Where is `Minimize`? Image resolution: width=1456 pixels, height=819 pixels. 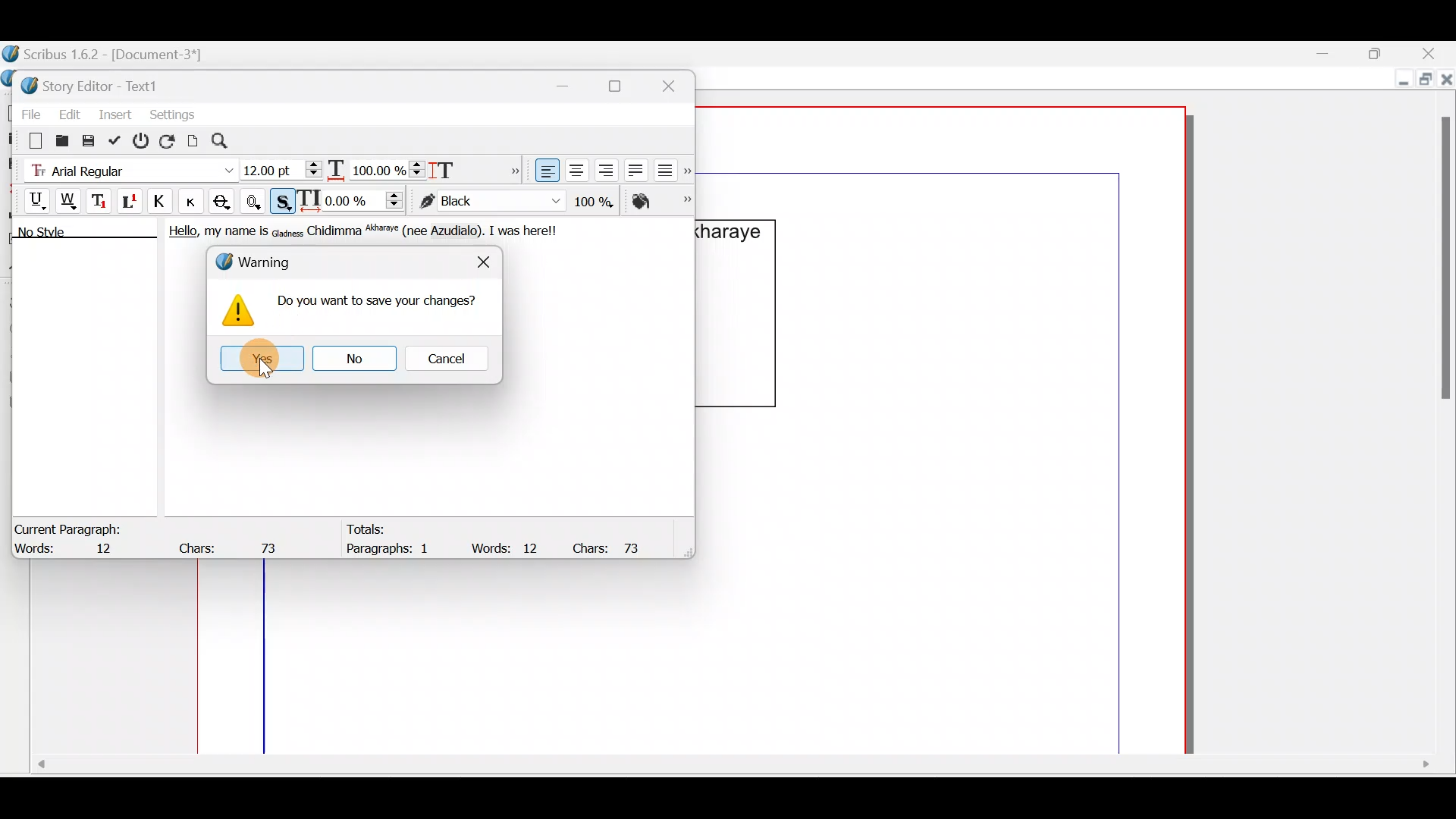 Minimize is located at coordinates (1400, 81).